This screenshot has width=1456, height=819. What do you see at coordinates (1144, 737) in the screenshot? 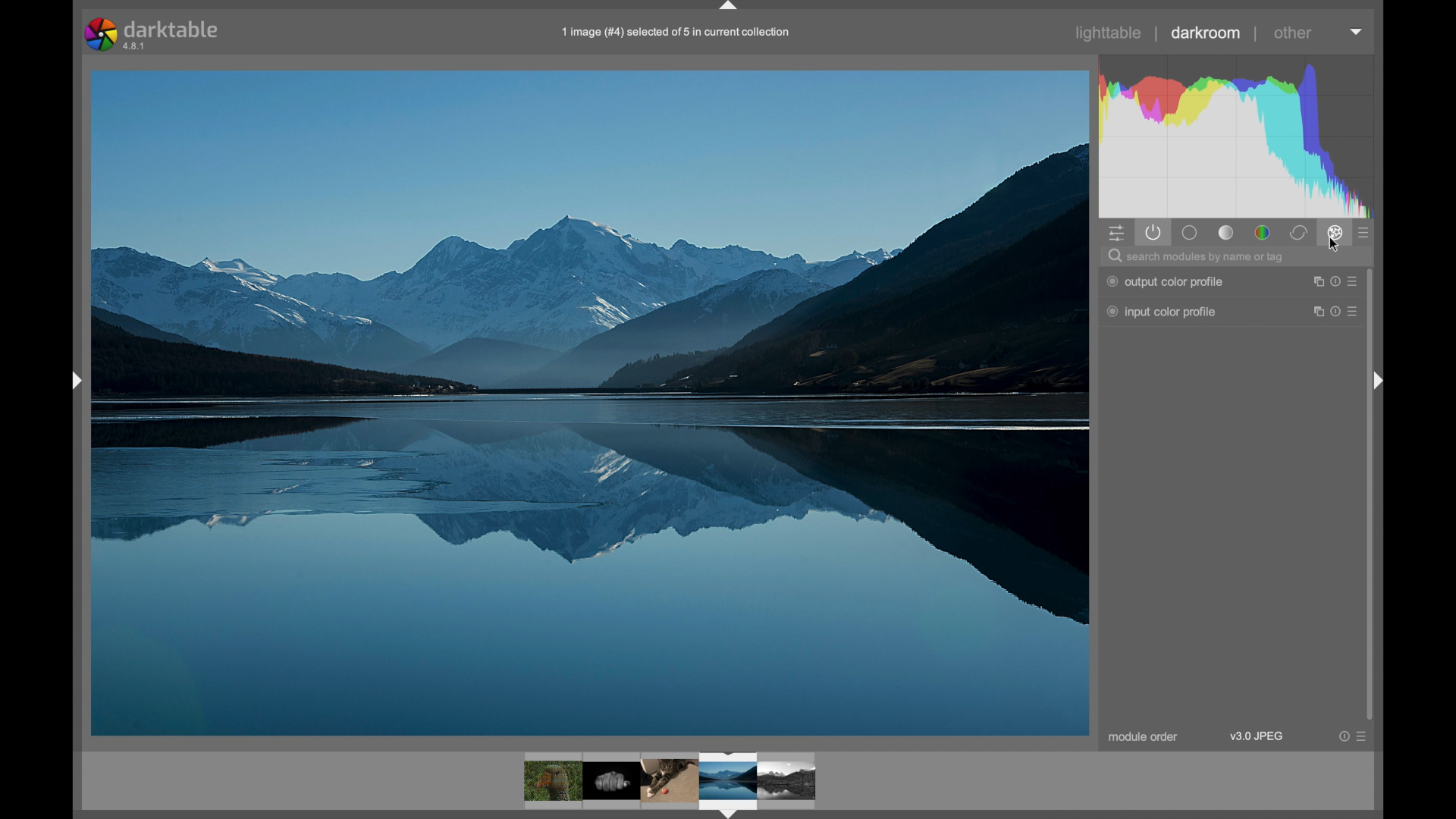
I see `module order` at bounding box center [1144, 737].